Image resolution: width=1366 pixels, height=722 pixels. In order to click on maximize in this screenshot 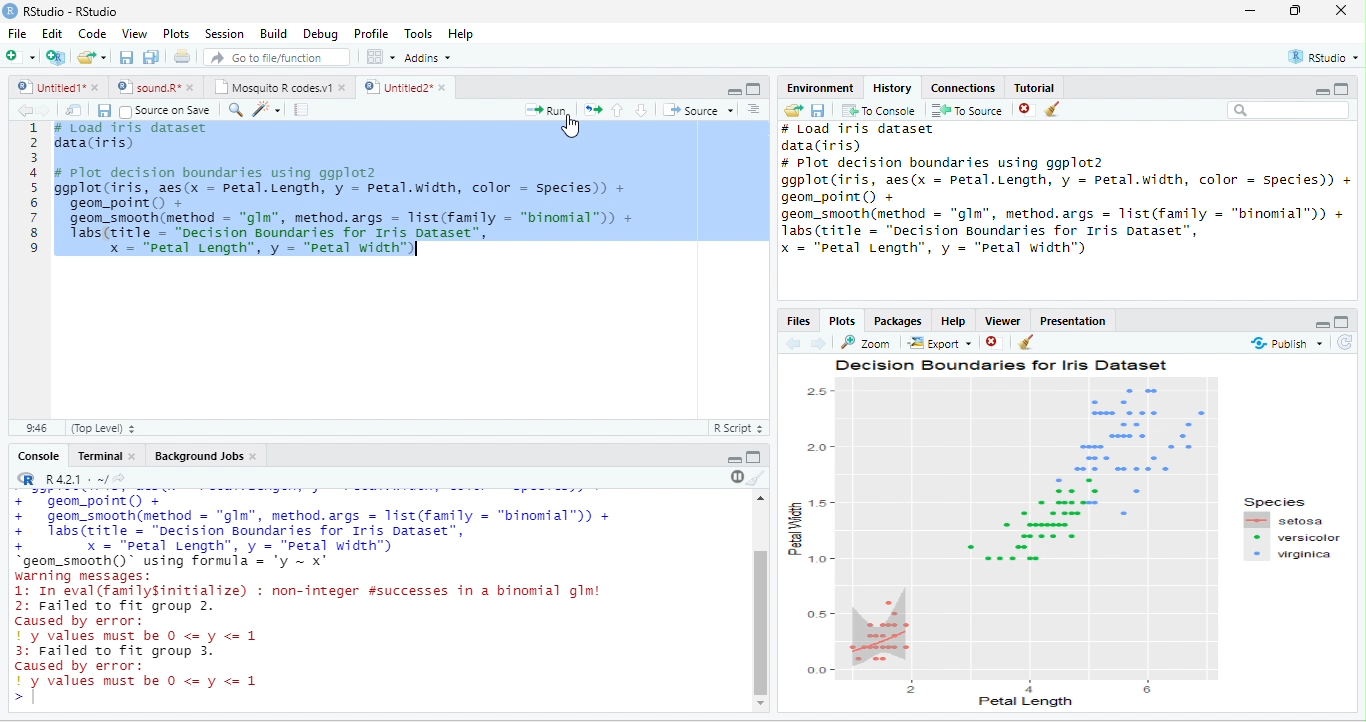, I will do `click(754, 89)`.